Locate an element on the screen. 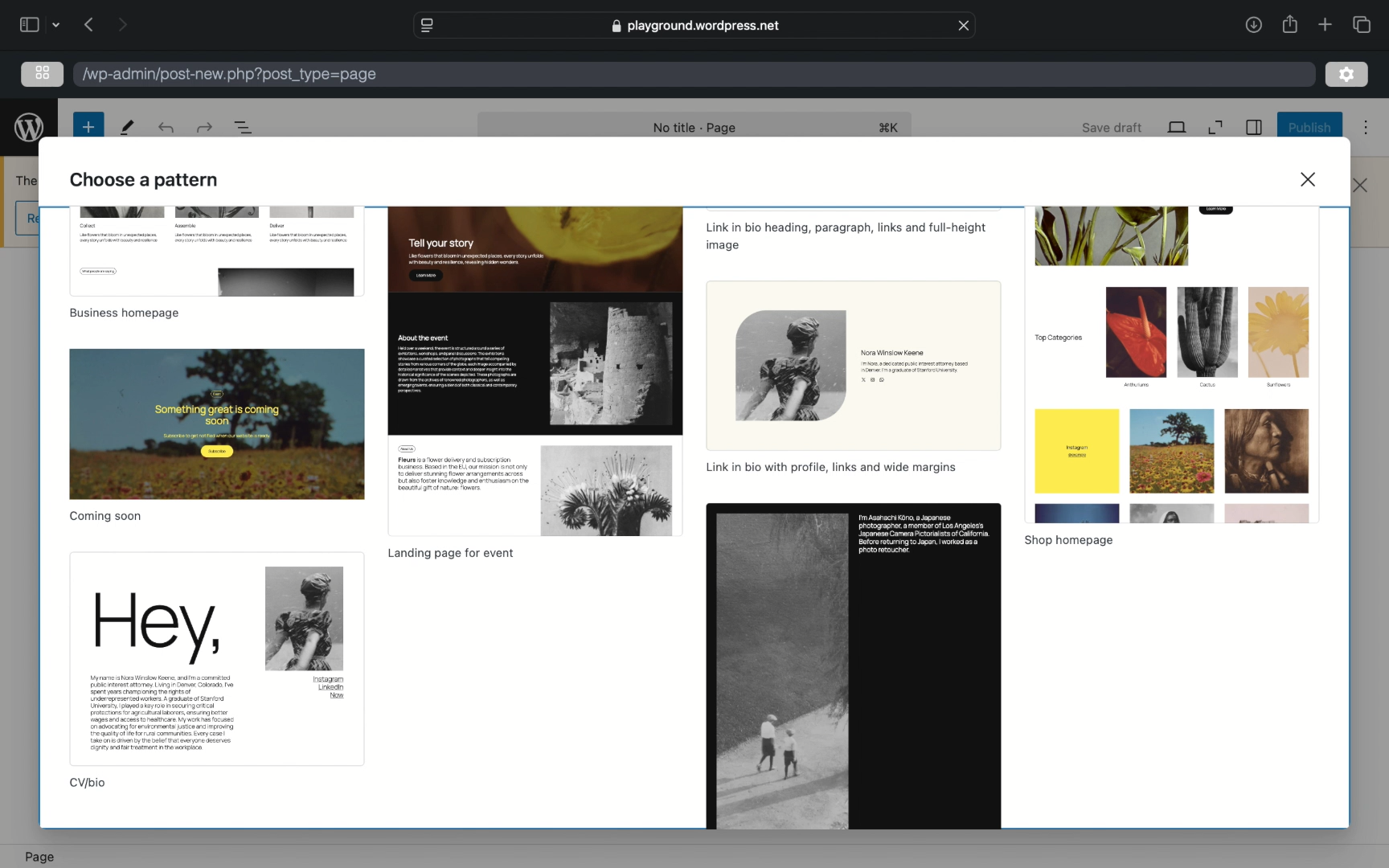 The image size is (1389, 868). next page is located at coordinates (122, 24).